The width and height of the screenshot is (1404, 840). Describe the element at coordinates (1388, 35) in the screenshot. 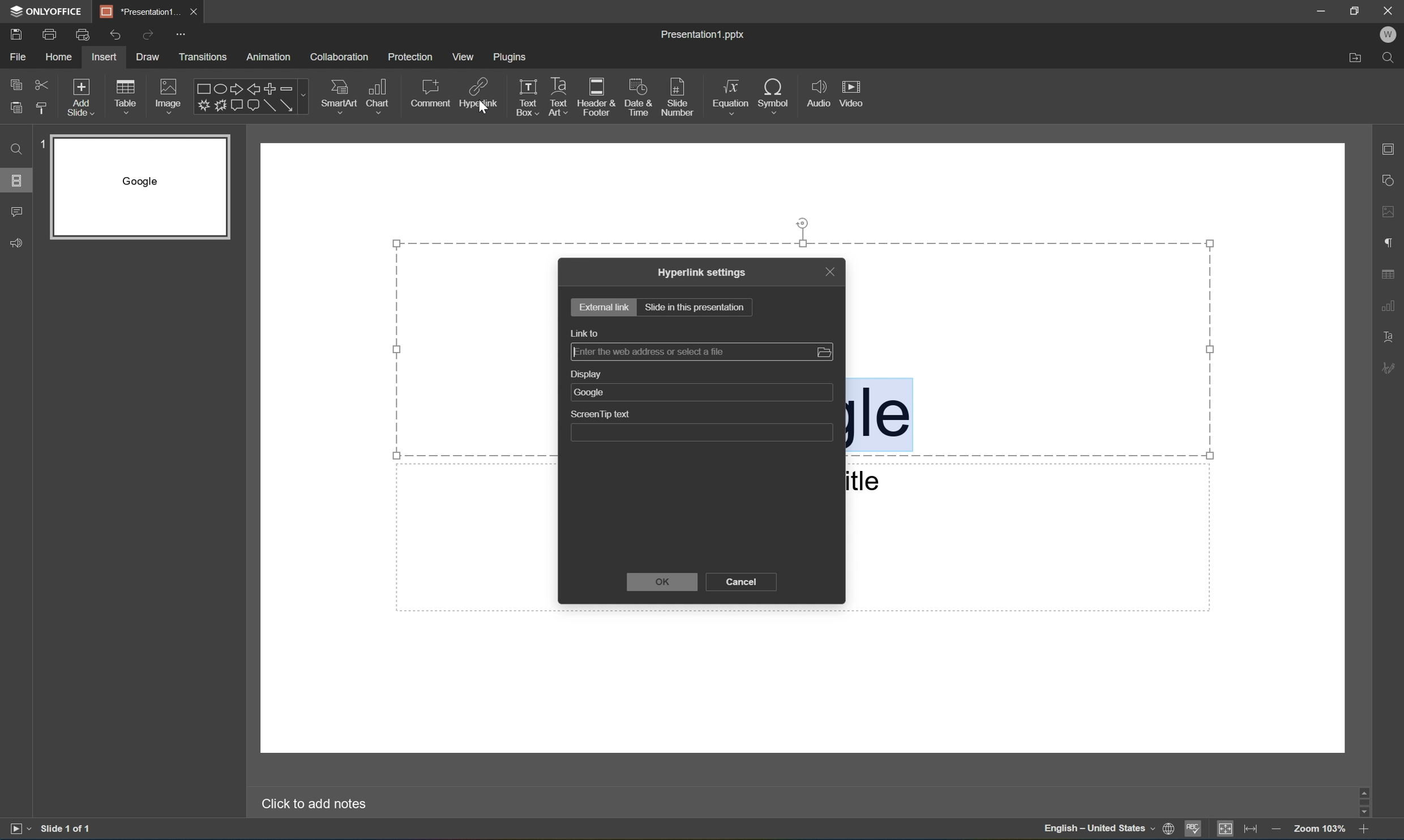

I see `Welcome` at that location.